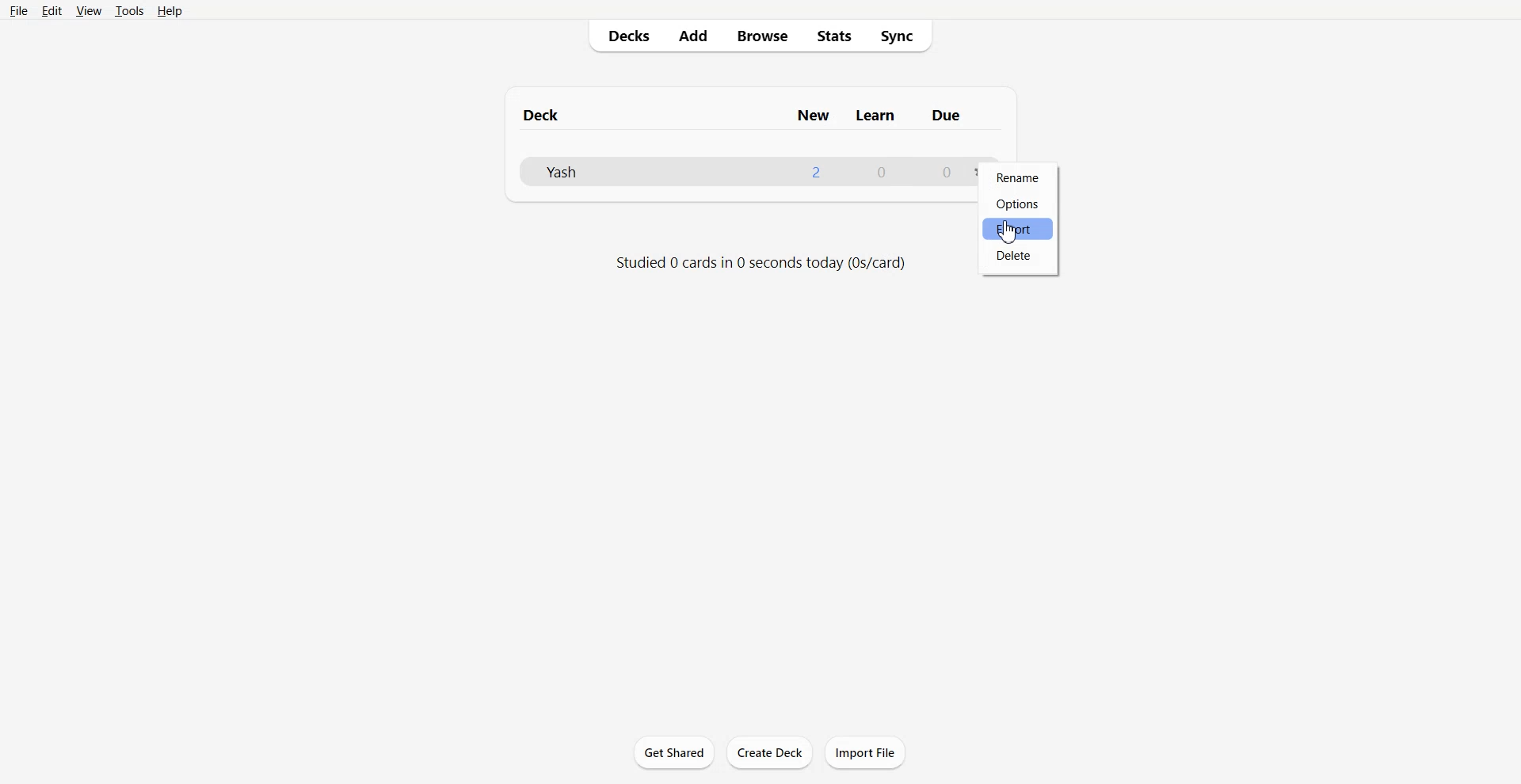  Describe the element at coordinates (693, 36) in the screenshot. I see `Add` at that location.